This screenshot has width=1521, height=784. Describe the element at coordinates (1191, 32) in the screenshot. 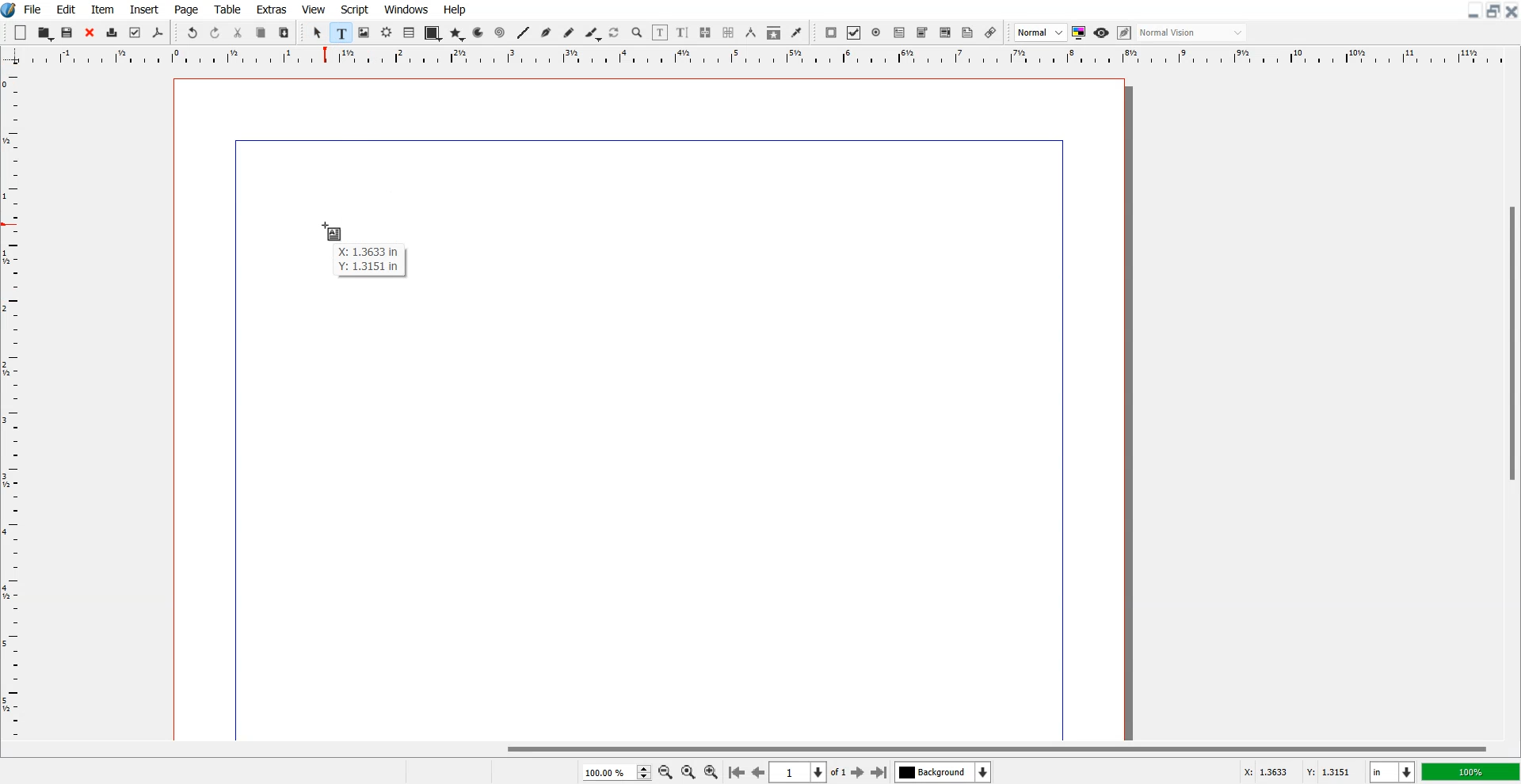

I see `Select the visual appearance` at that location.